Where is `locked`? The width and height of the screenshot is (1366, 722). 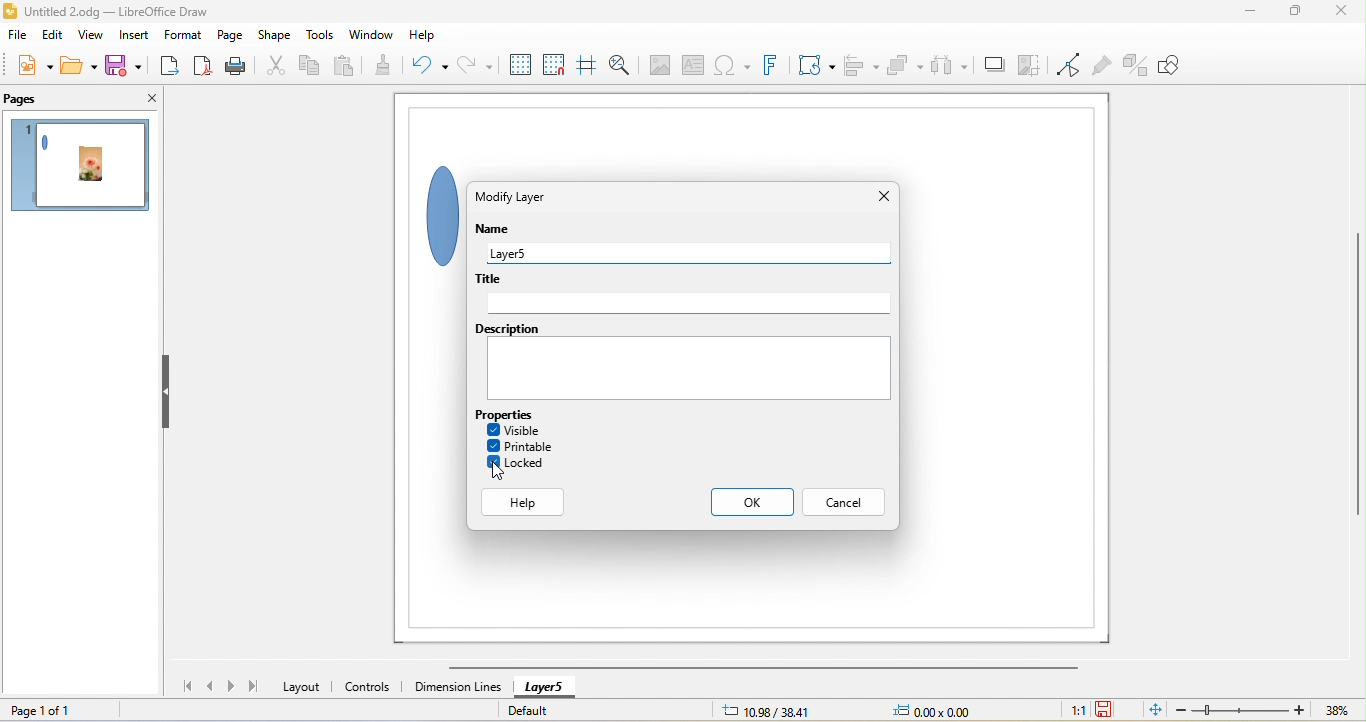 locked is located at coordinates (518, 463).